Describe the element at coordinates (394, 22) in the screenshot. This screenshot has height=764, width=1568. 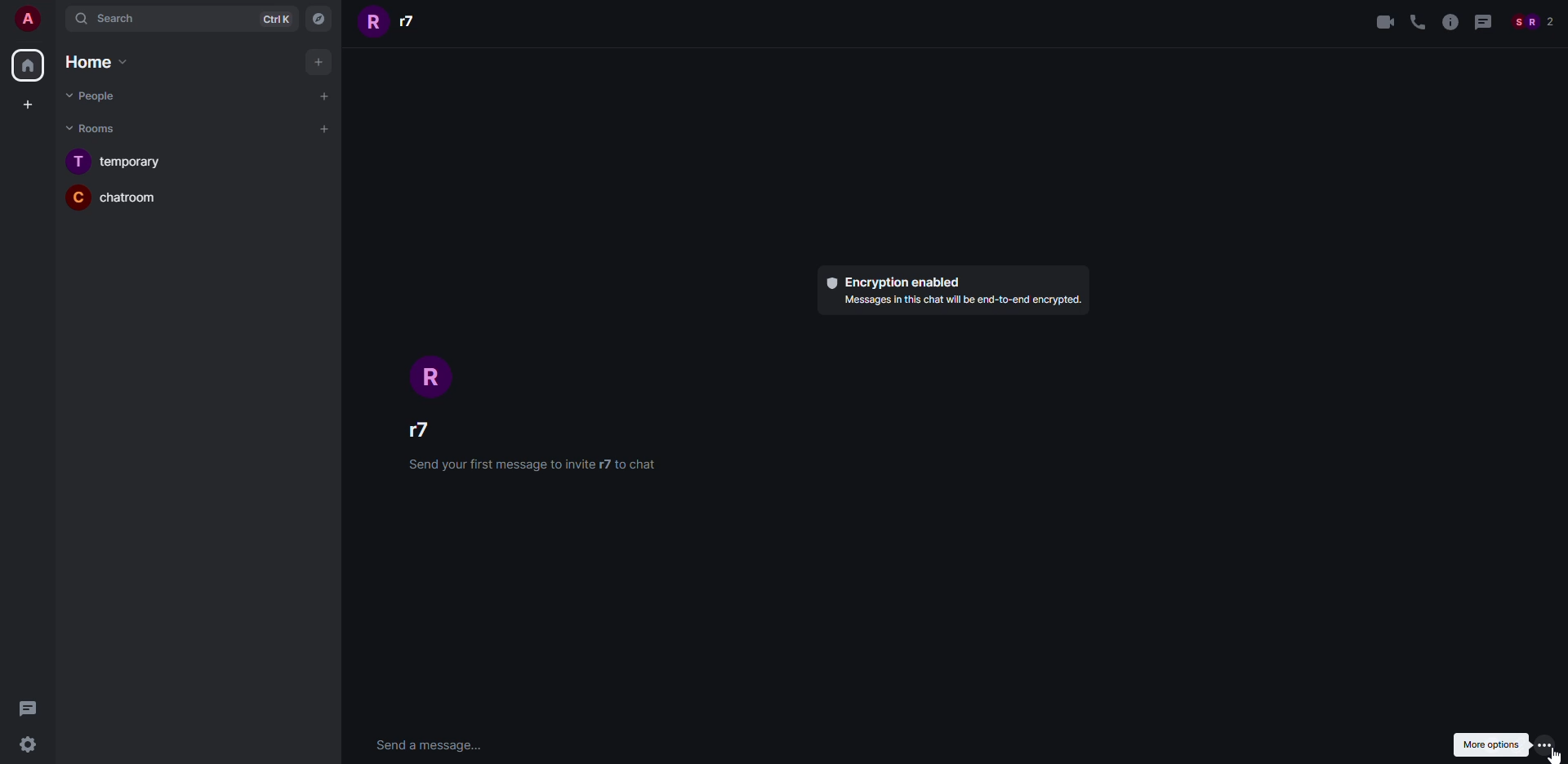
I see `r7` at that location.